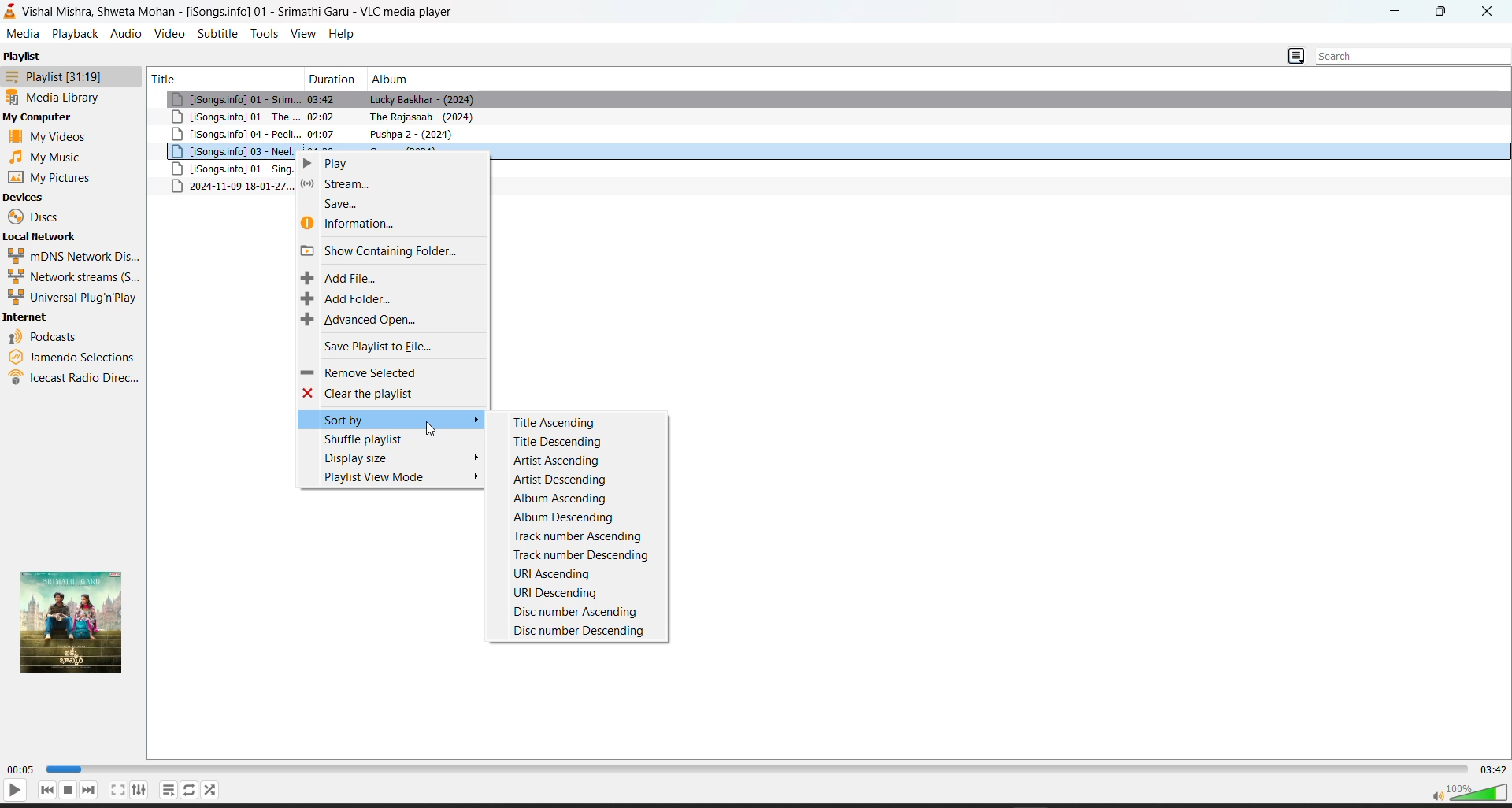 The width and height of the screenshot is (1512, 808). What do you see at coordinates (224, 169) in the screenshot?
I see `song` at bounding box center [224, 169].